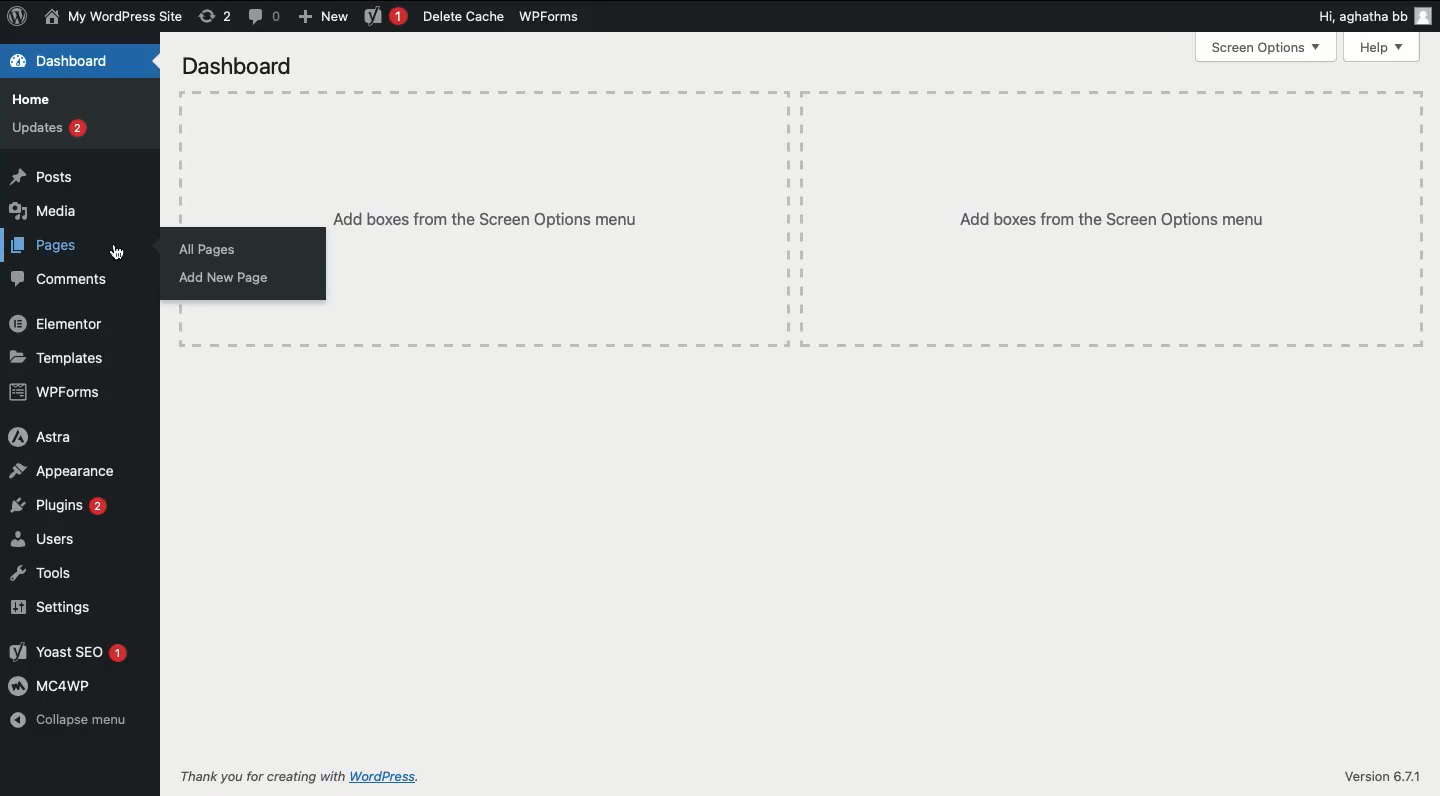  What do you see at coordinates (75, 721) in the screenshot?
I see `Collapse menu` at bounding box center [75, 721].